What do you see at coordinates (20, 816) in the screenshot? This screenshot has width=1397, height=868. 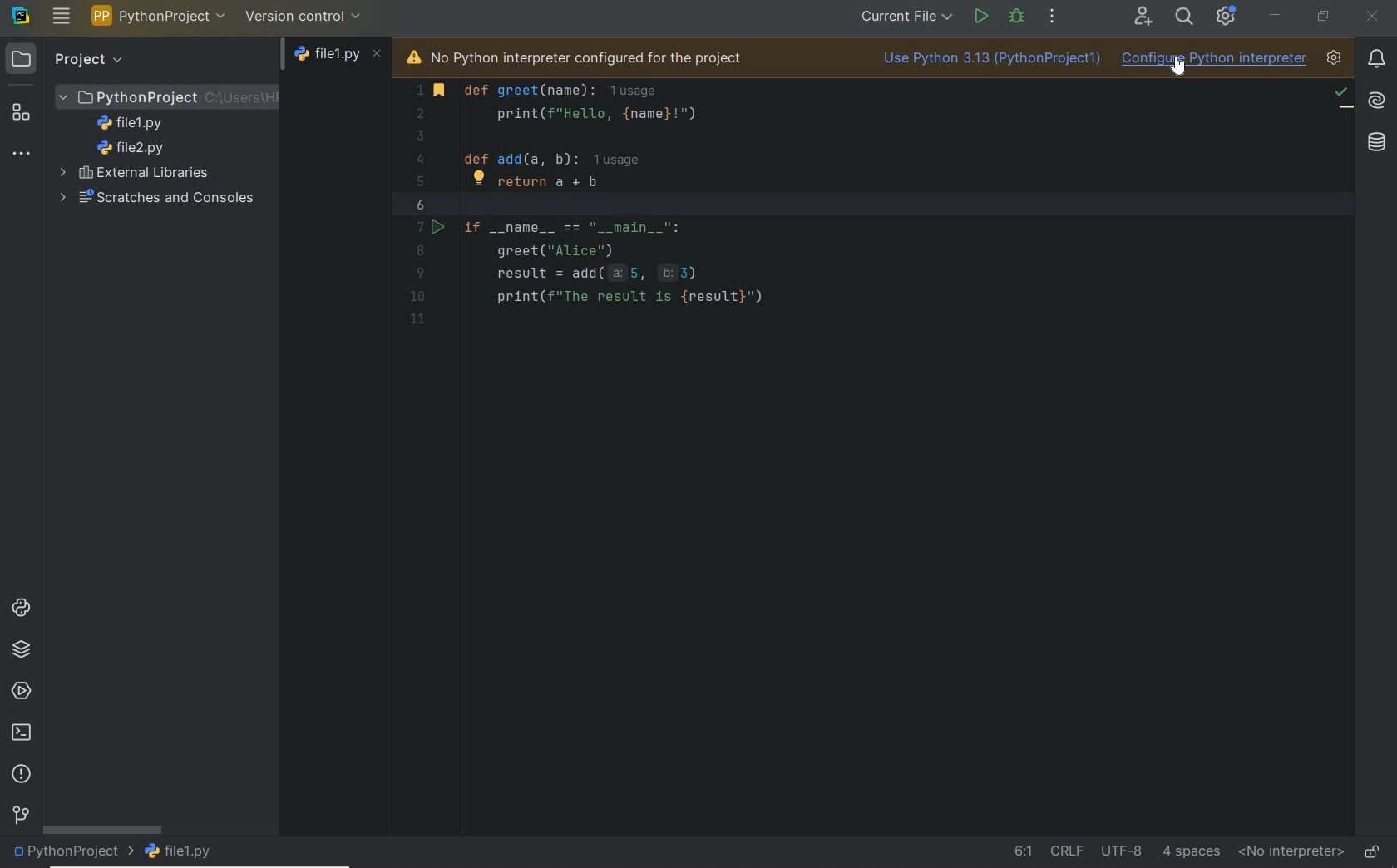 I see `version control` at bounding box center [20, 816].